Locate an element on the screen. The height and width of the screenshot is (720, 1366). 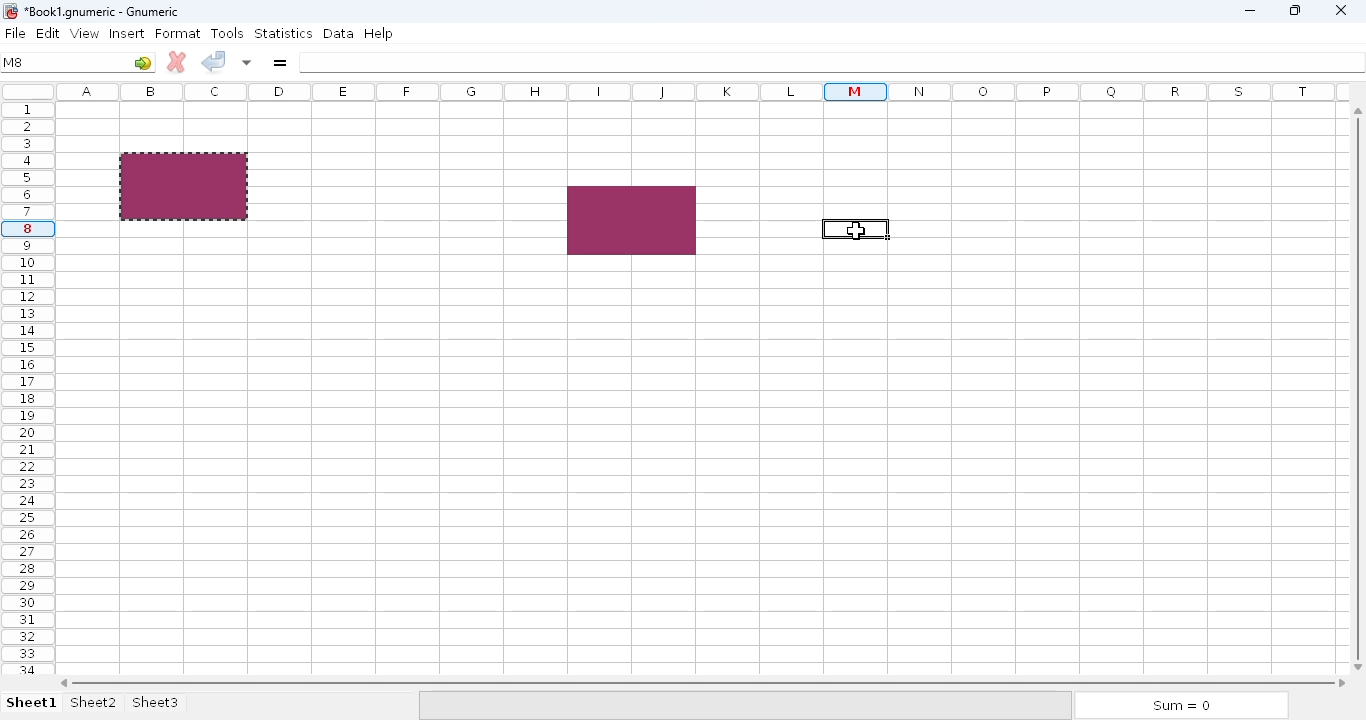
maximize is located at coordinates (1293, 10).